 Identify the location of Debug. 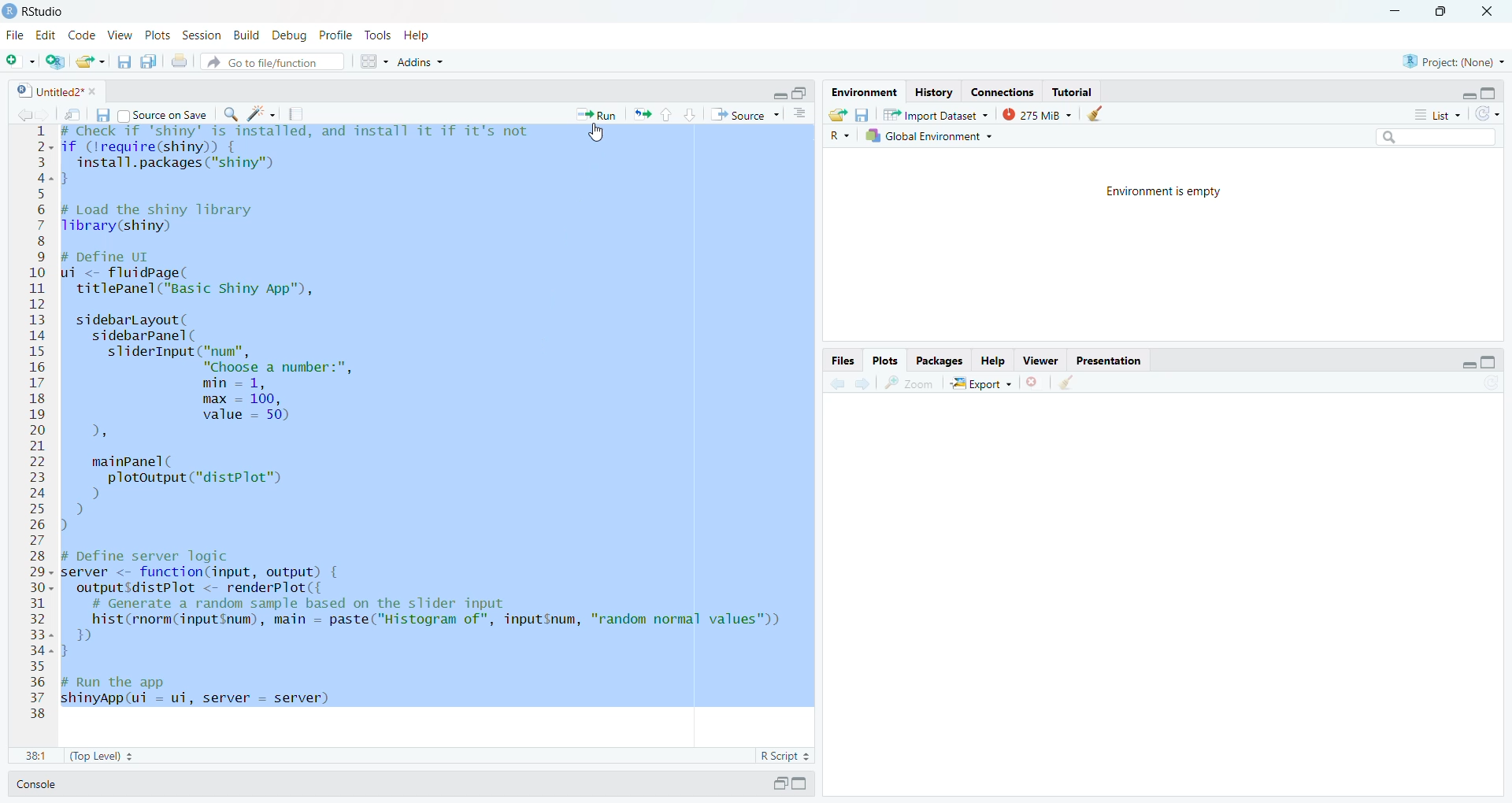
(291, 35).